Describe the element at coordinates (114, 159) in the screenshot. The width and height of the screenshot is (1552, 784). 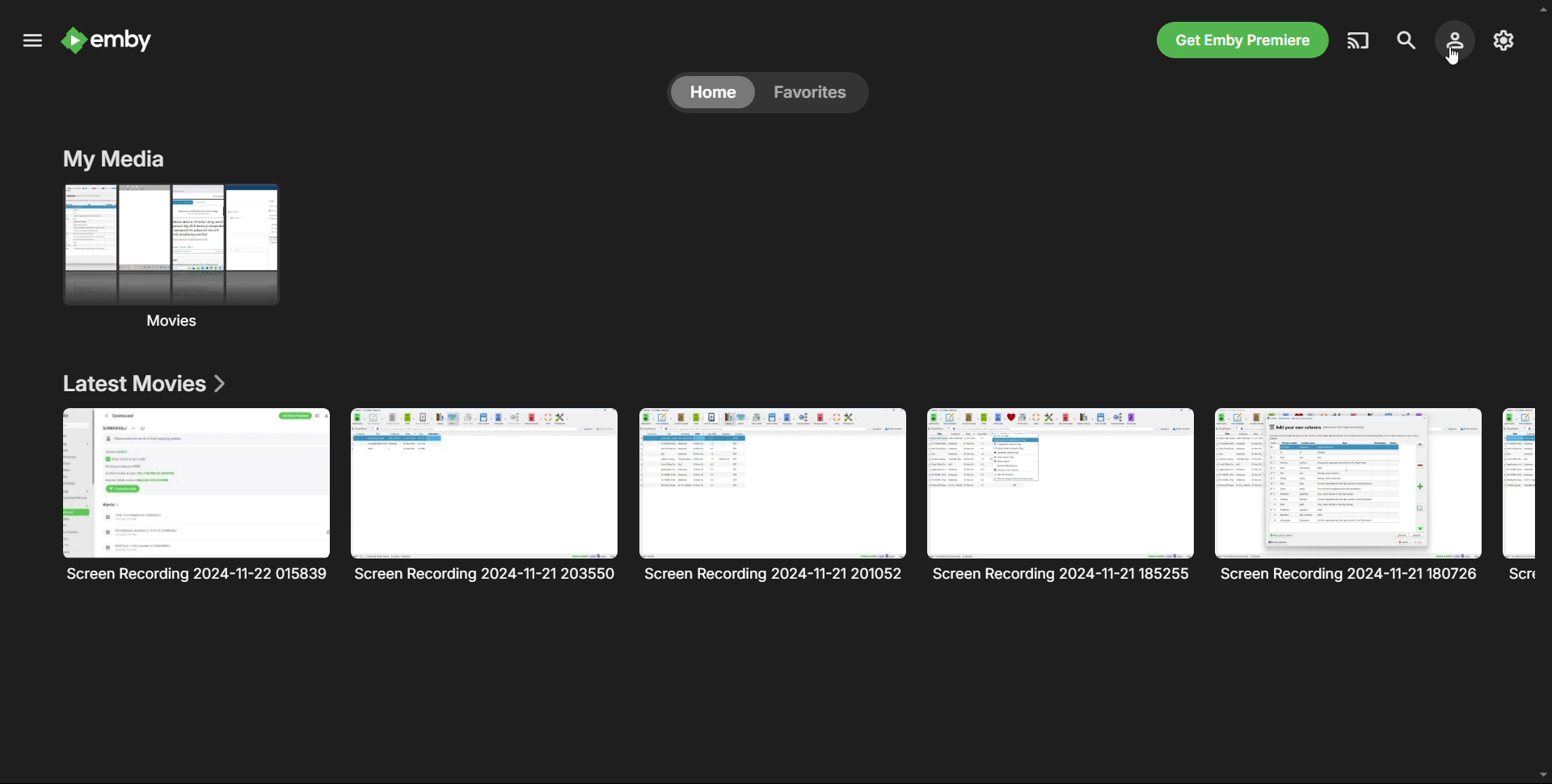
I see `Section title` at that location.